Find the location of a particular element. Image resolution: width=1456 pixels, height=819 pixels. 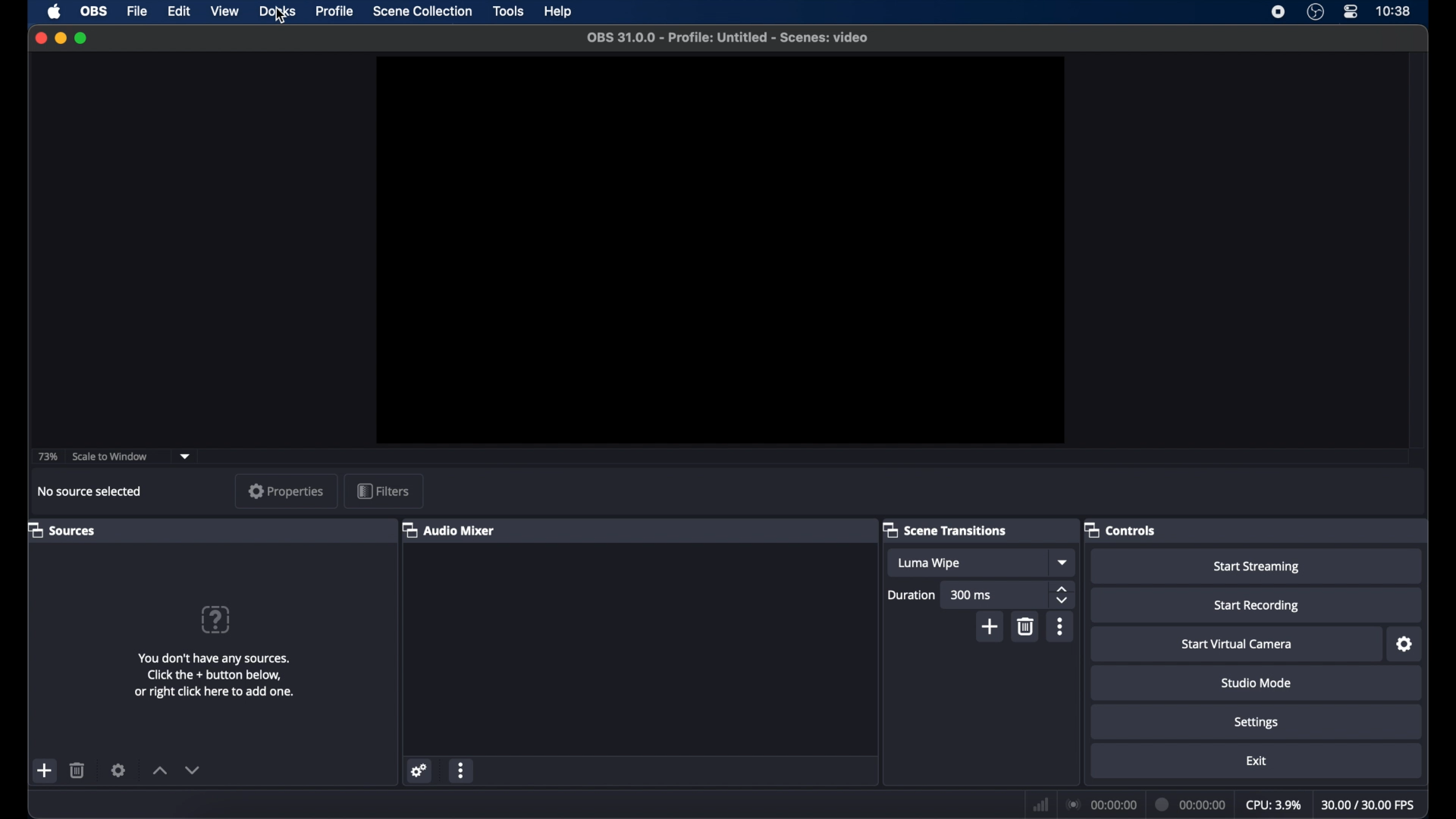

screen recorder icon is located at coordinates (1278, 12).